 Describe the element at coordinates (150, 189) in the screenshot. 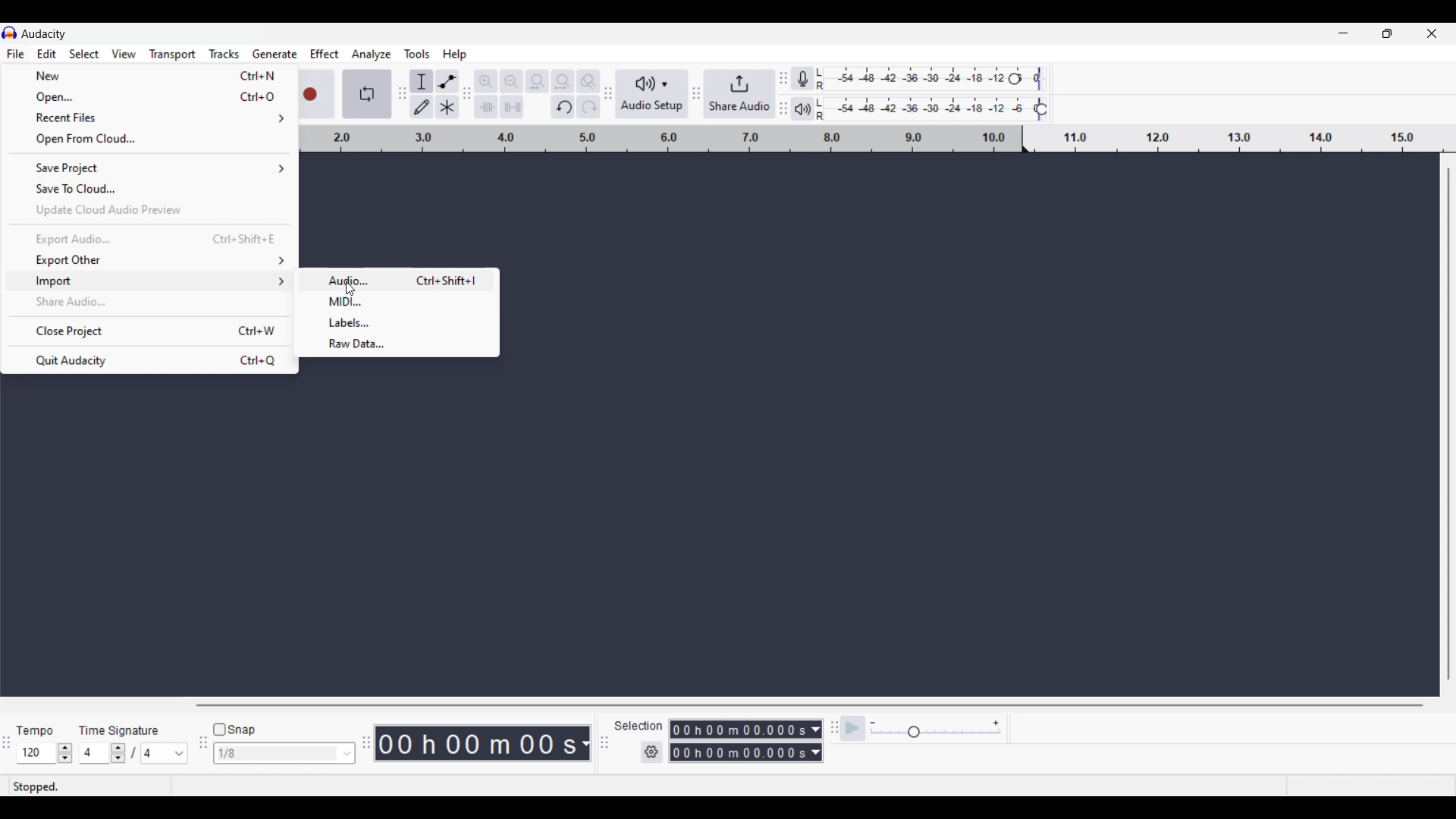

I see `Save to cloud` at that location.